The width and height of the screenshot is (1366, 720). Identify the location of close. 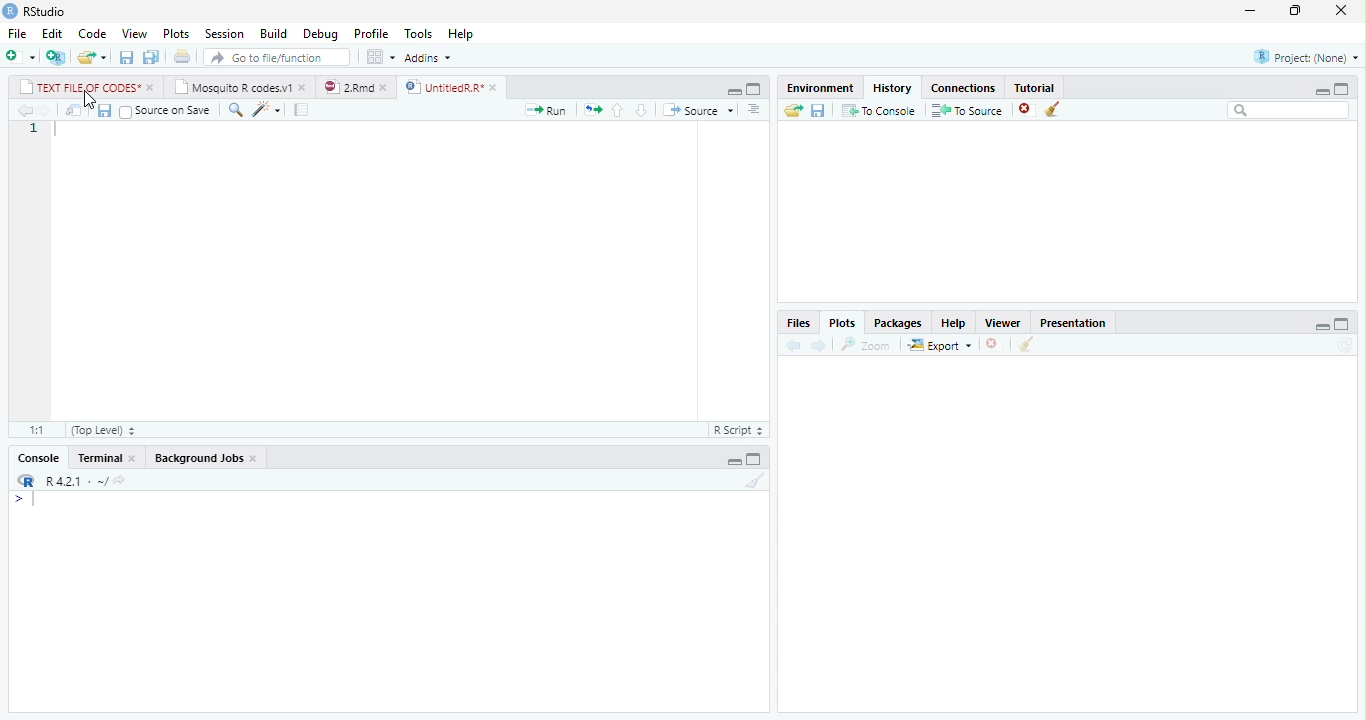
(134, 459).